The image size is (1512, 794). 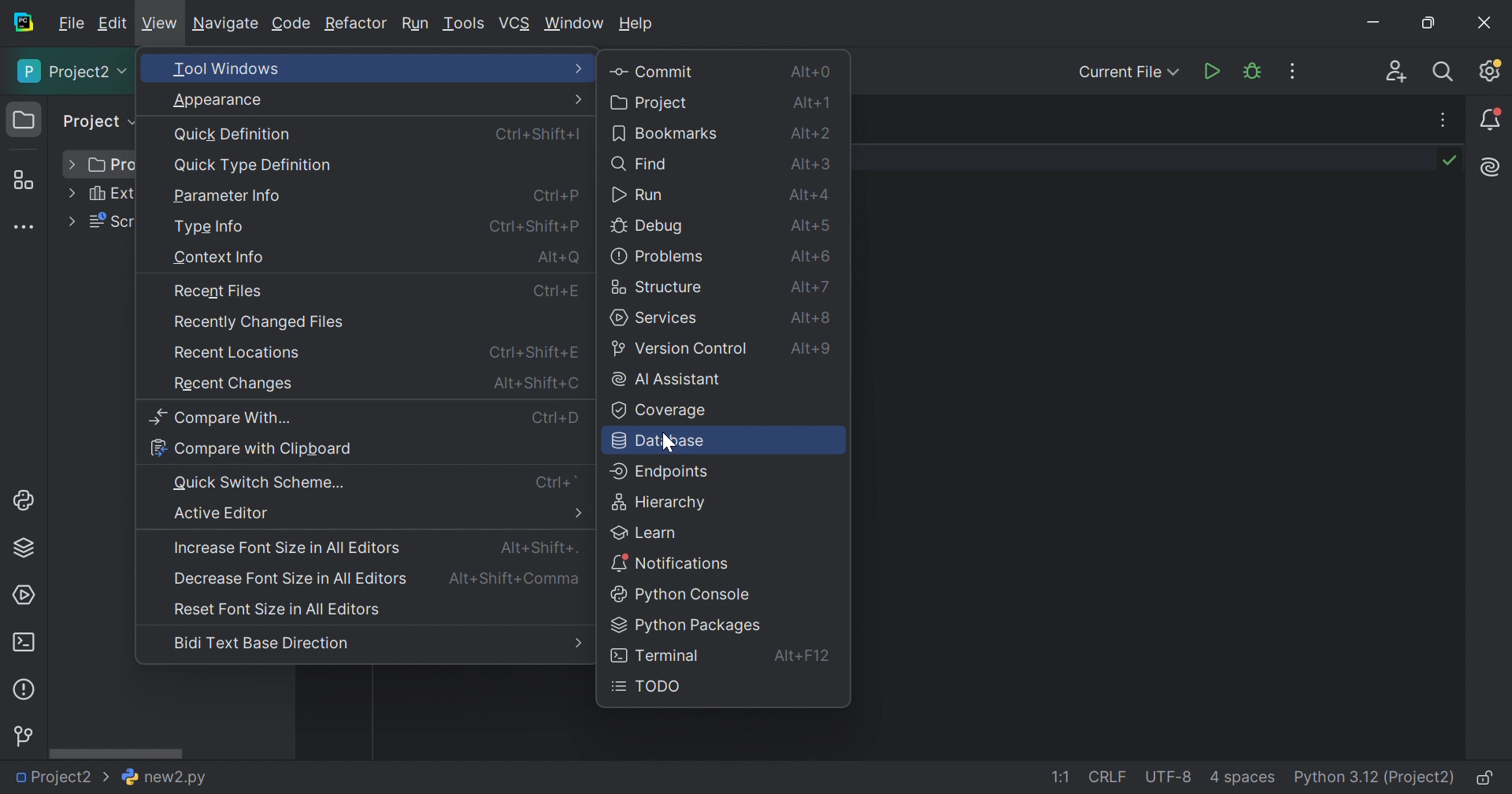 I want to click on Minimize, so click(x=1375, y=22).